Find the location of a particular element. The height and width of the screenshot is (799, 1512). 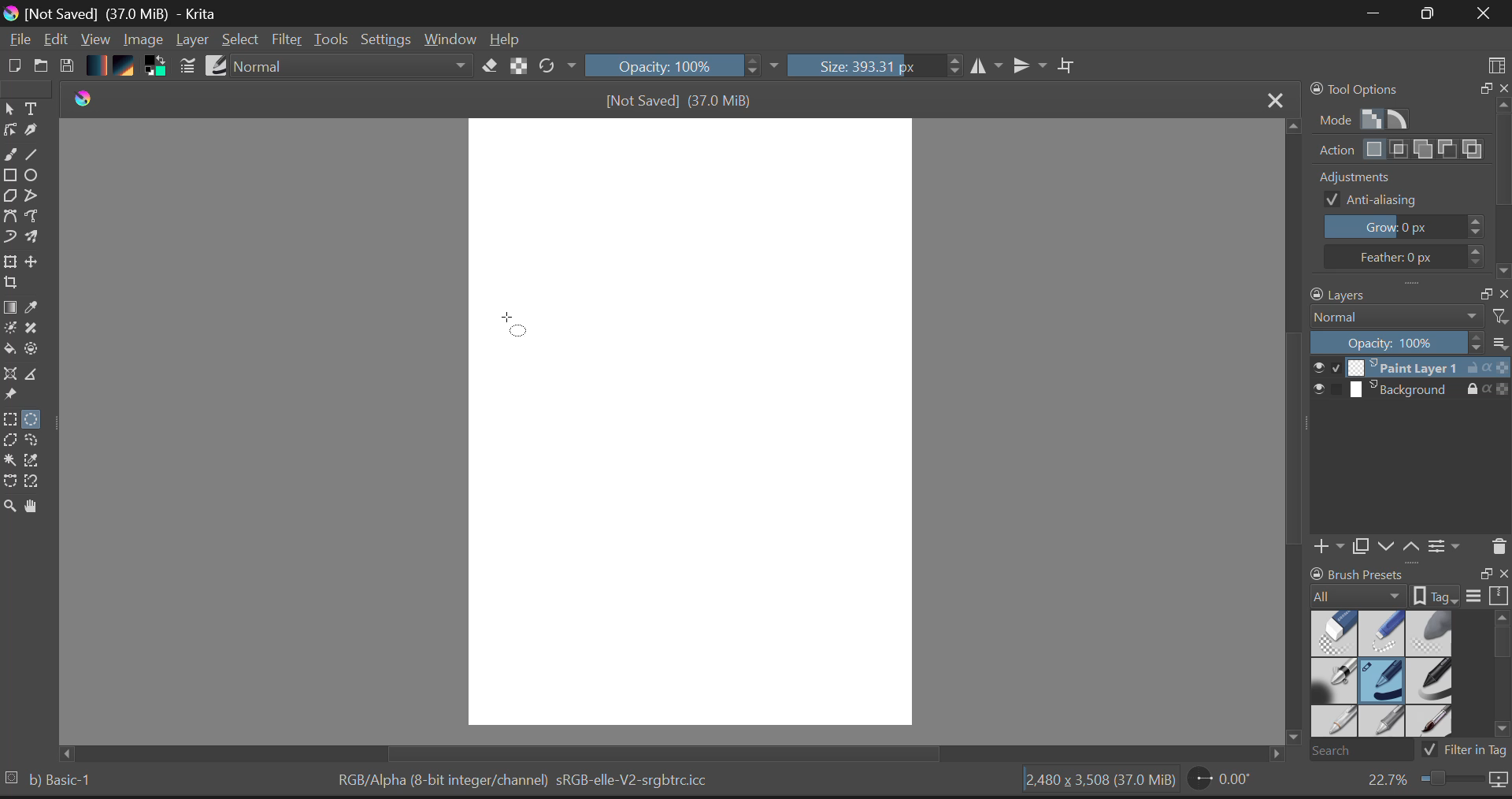

Layers Docker is located at coordinates (1403, 423).